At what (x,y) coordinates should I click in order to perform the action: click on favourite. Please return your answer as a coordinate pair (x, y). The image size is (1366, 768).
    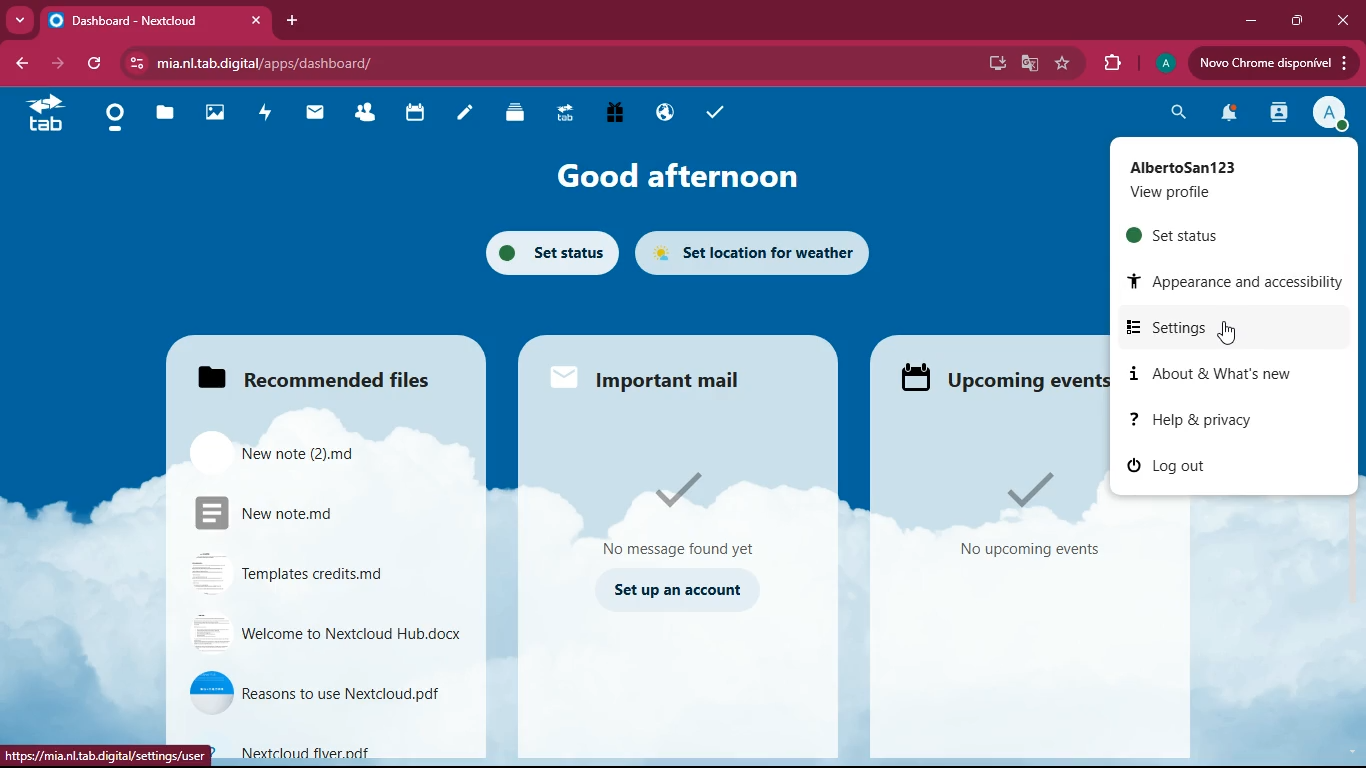
    Looking at the image, I should click on (1059, 66).